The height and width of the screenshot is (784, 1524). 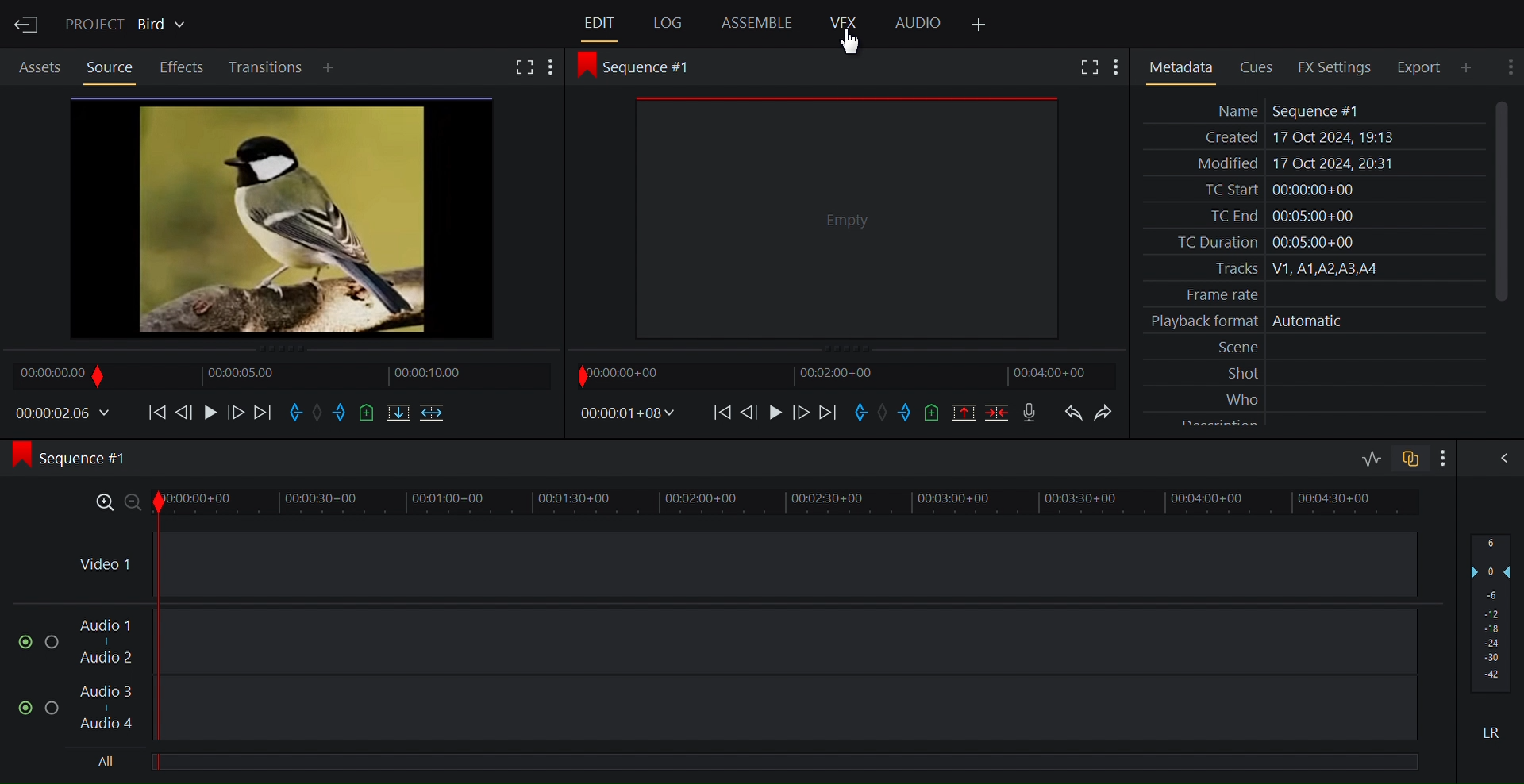 What do you see at coordinates (1411, 458) in the screenshot?
I see `Toggle audio track sync` at bounding box center [1411, 458].